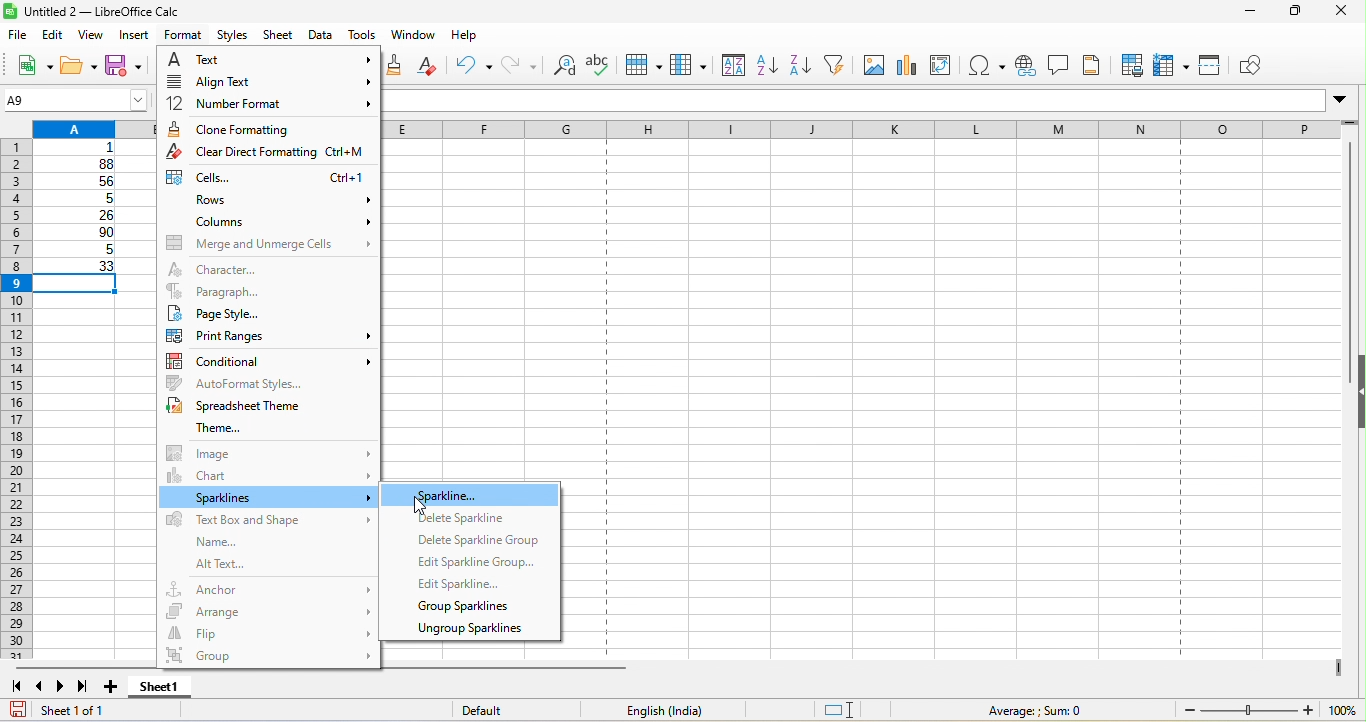 The height and width of the screenshot is (722, 1366). Describe the element at coordinates (1240, 14) in the screenshot. I see `minimize` at that location.